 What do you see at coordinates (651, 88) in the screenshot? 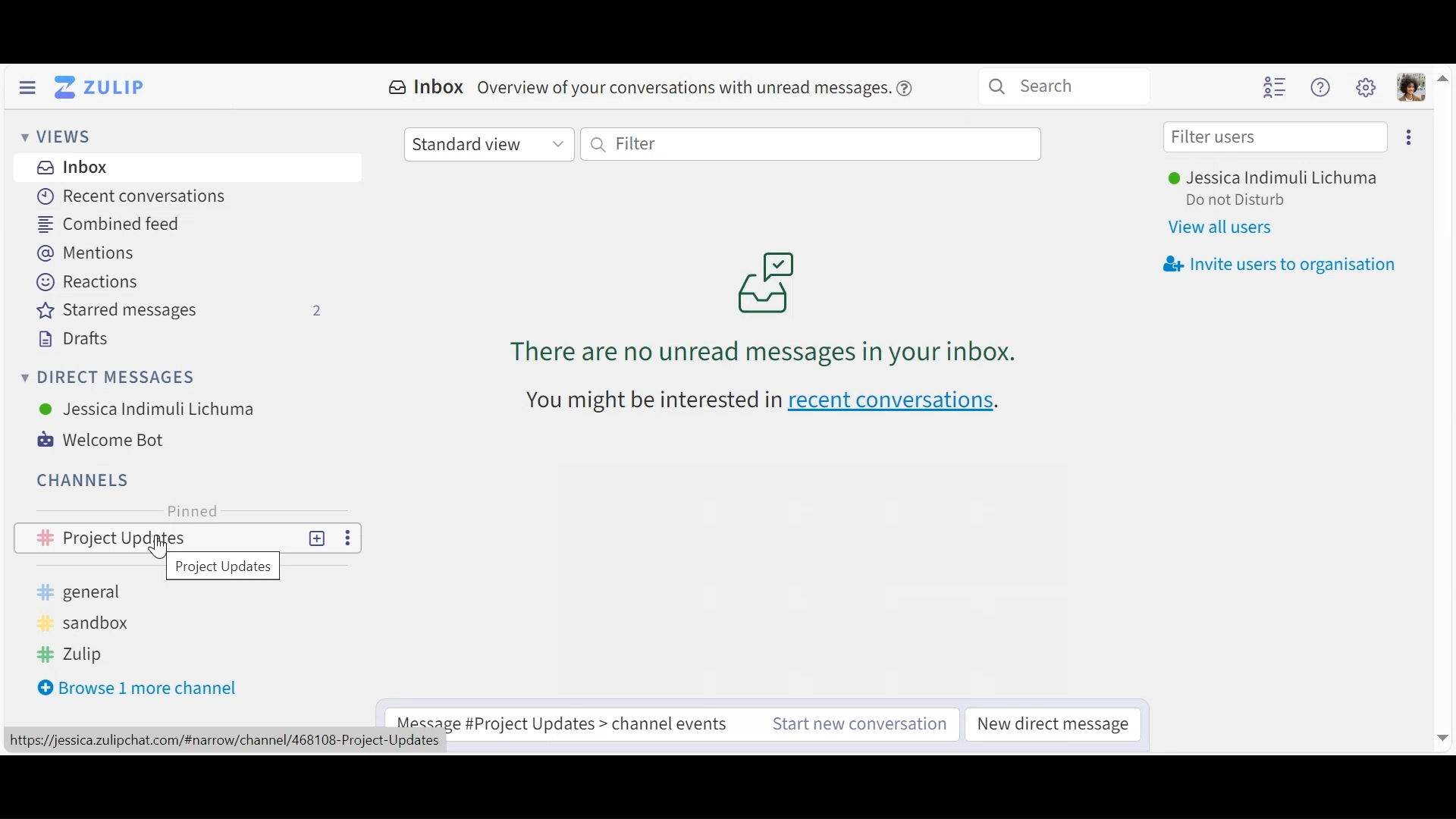
I see `Inbox` at bounding box center [651, 88].